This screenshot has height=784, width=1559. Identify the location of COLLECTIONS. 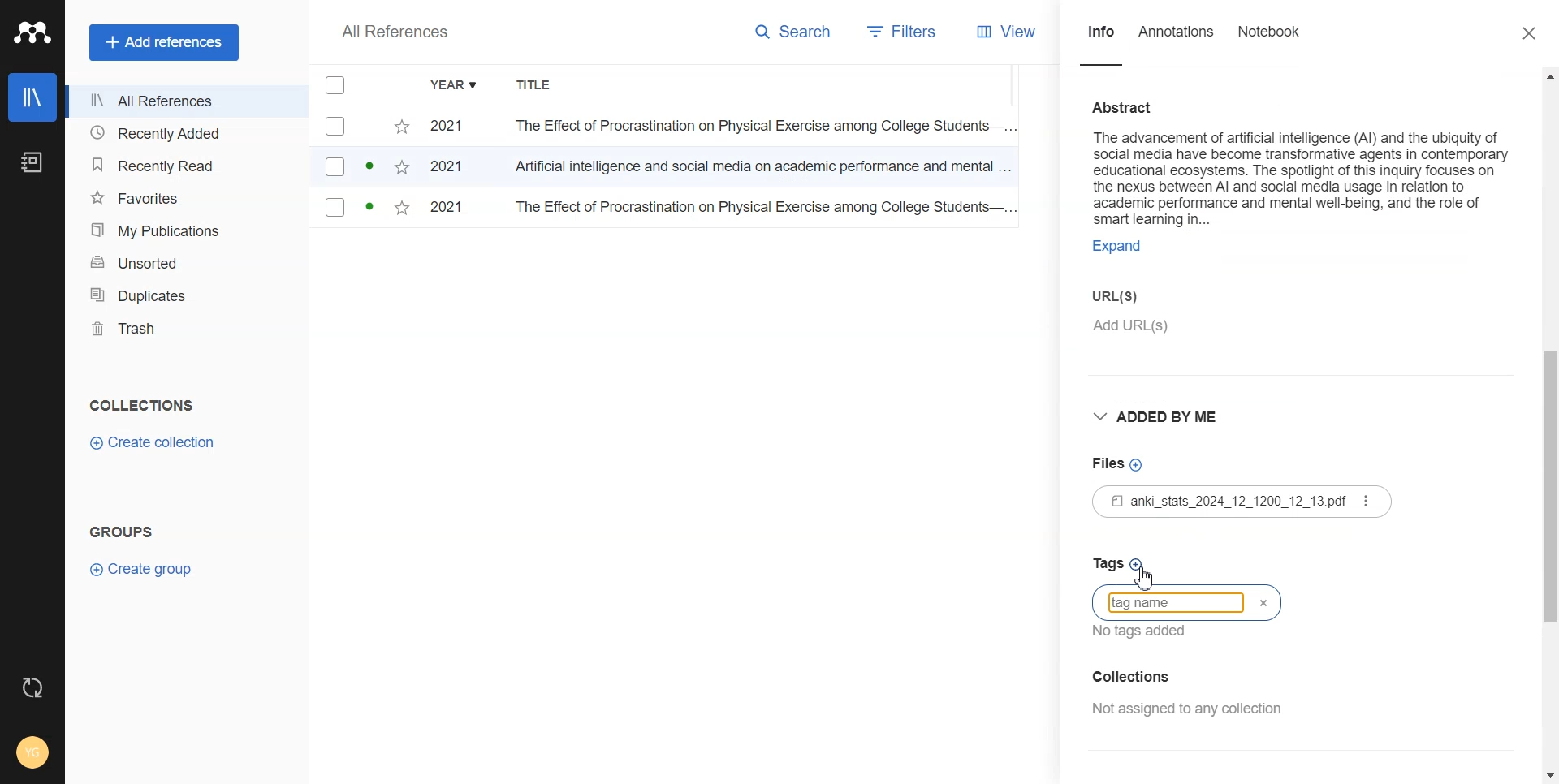
(145, 405).